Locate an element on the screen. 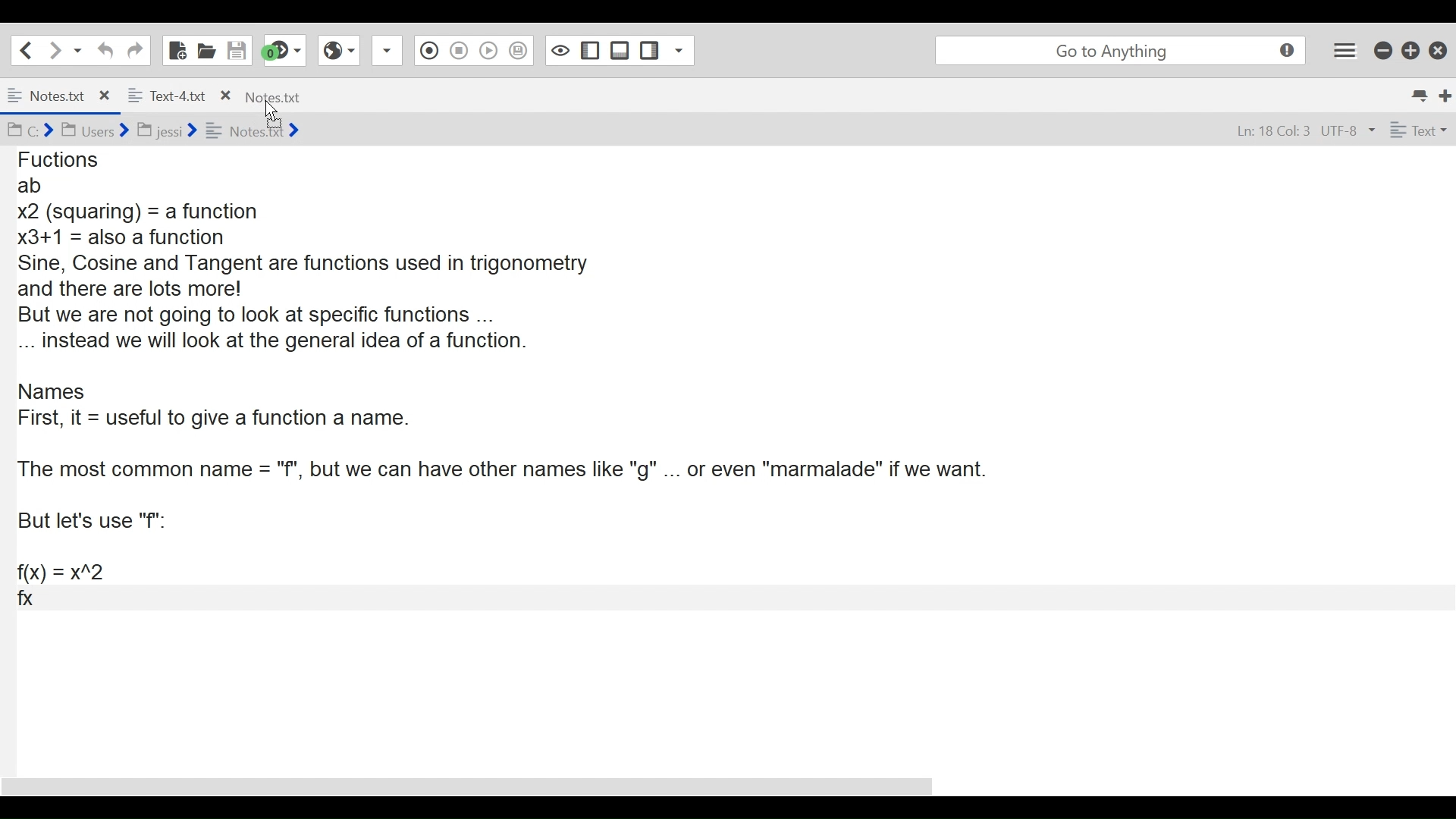  go to anything is located at coordinates (1116, 50).